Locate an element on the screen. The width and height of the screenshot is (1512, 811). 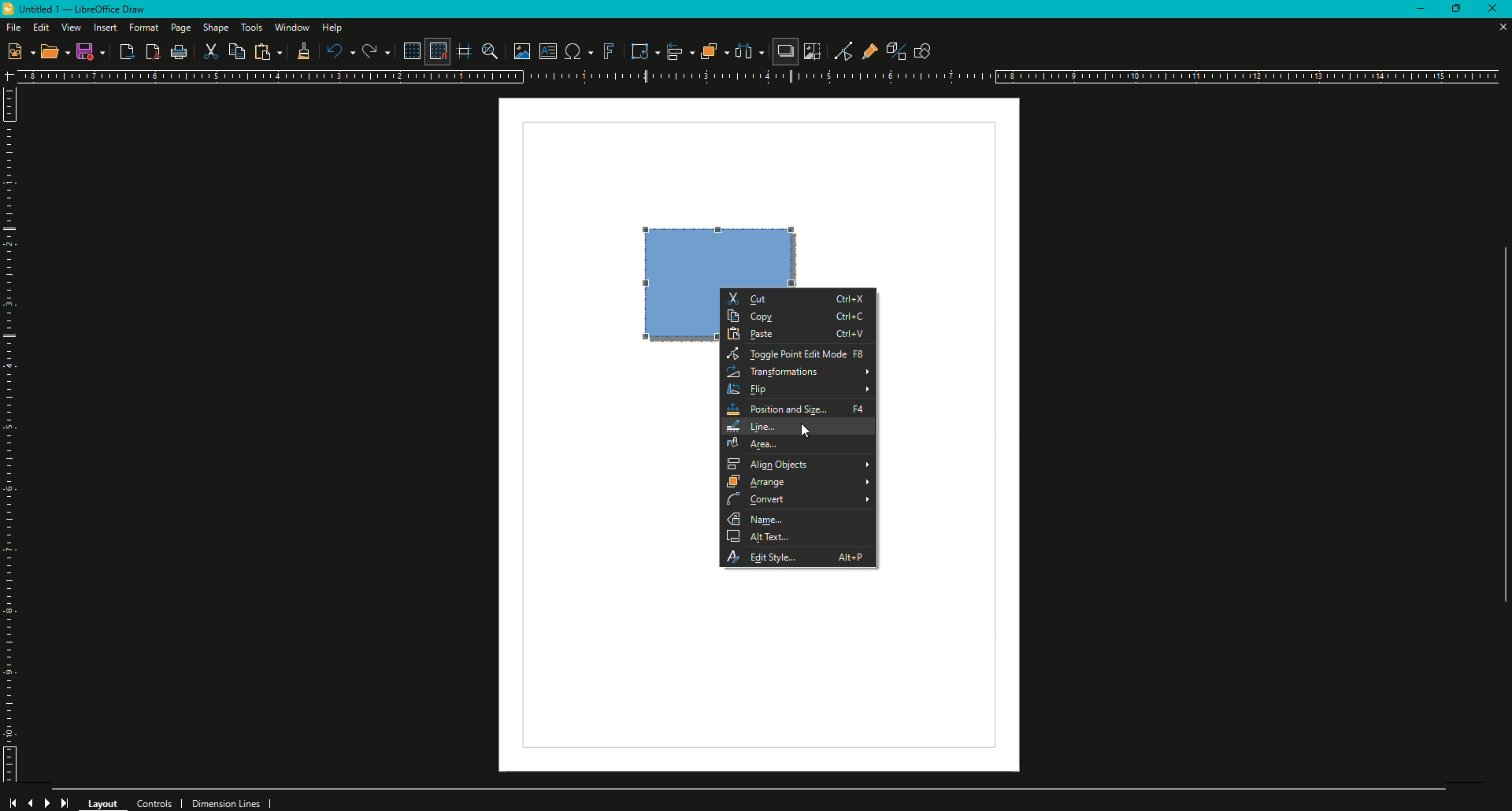
Helplines is located at coordinates (465, 51).